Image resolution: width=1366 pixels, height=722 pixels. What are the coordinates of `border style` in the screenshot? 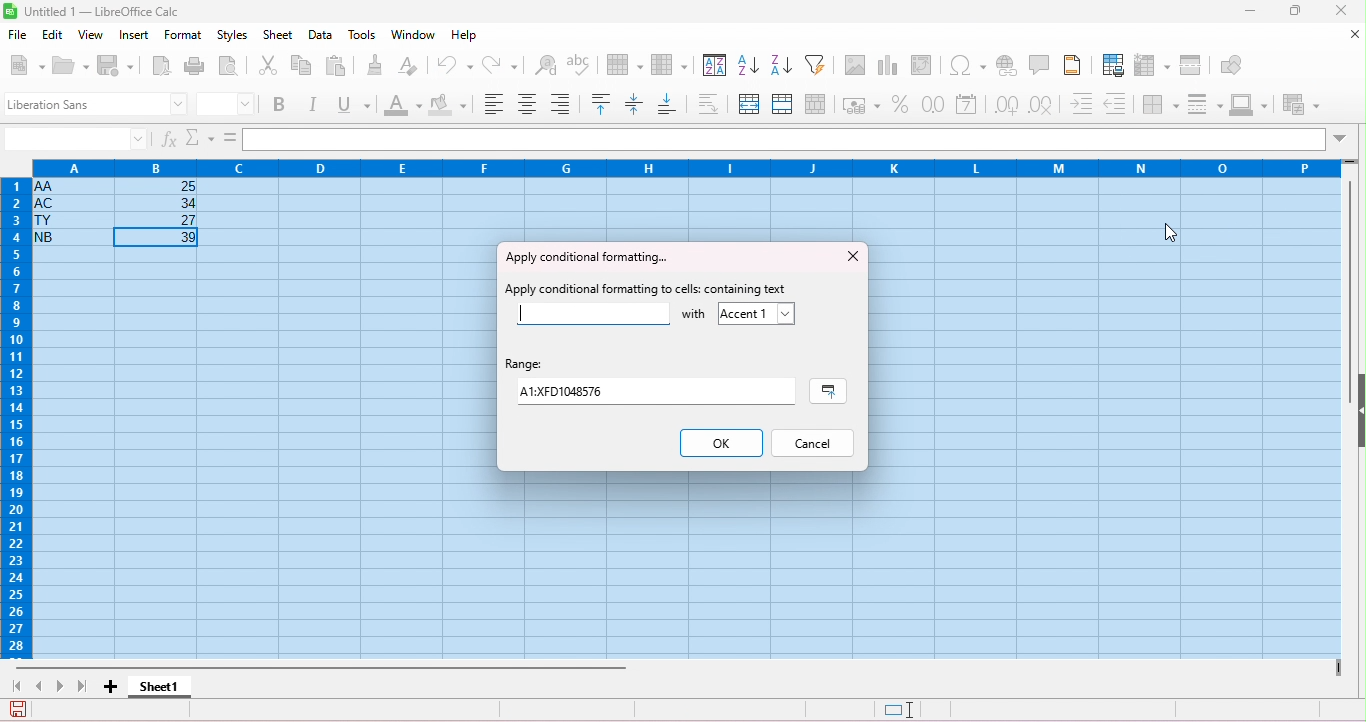 It's located at (1206, 103).